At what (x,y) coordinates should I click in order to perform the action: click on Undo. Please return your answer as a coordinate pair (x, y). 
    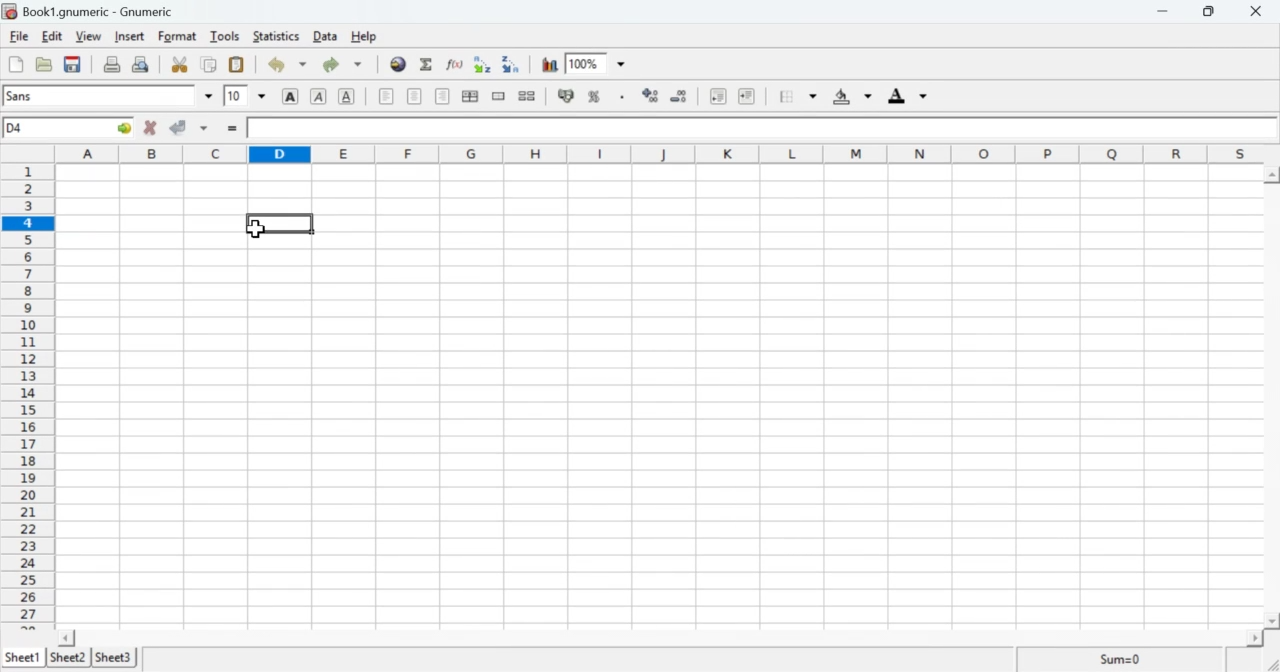
    Looking at the image, I should click on (287, 65).